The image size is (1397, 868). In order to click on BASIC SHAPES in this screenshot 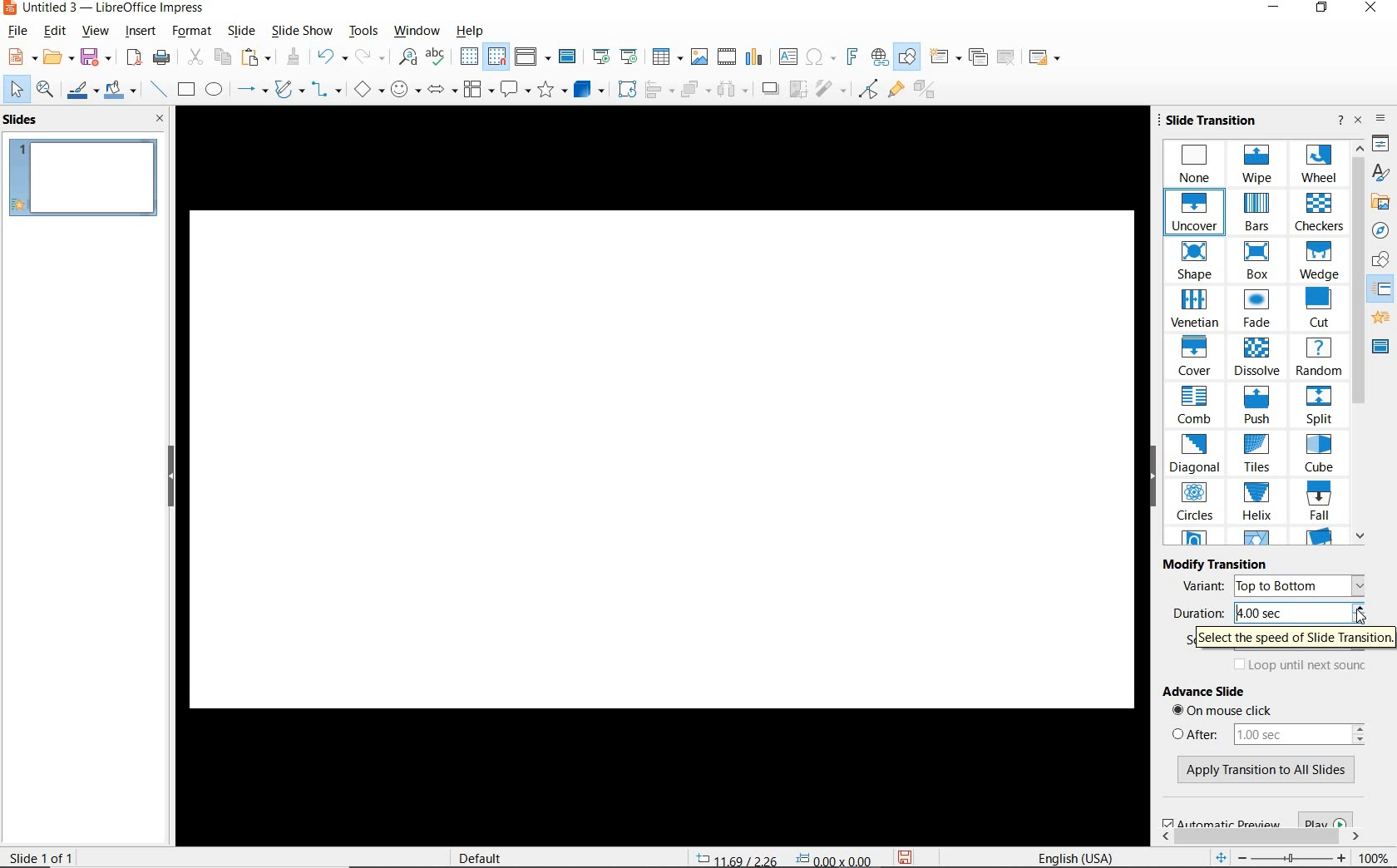, I will do `click(368, 89)`.